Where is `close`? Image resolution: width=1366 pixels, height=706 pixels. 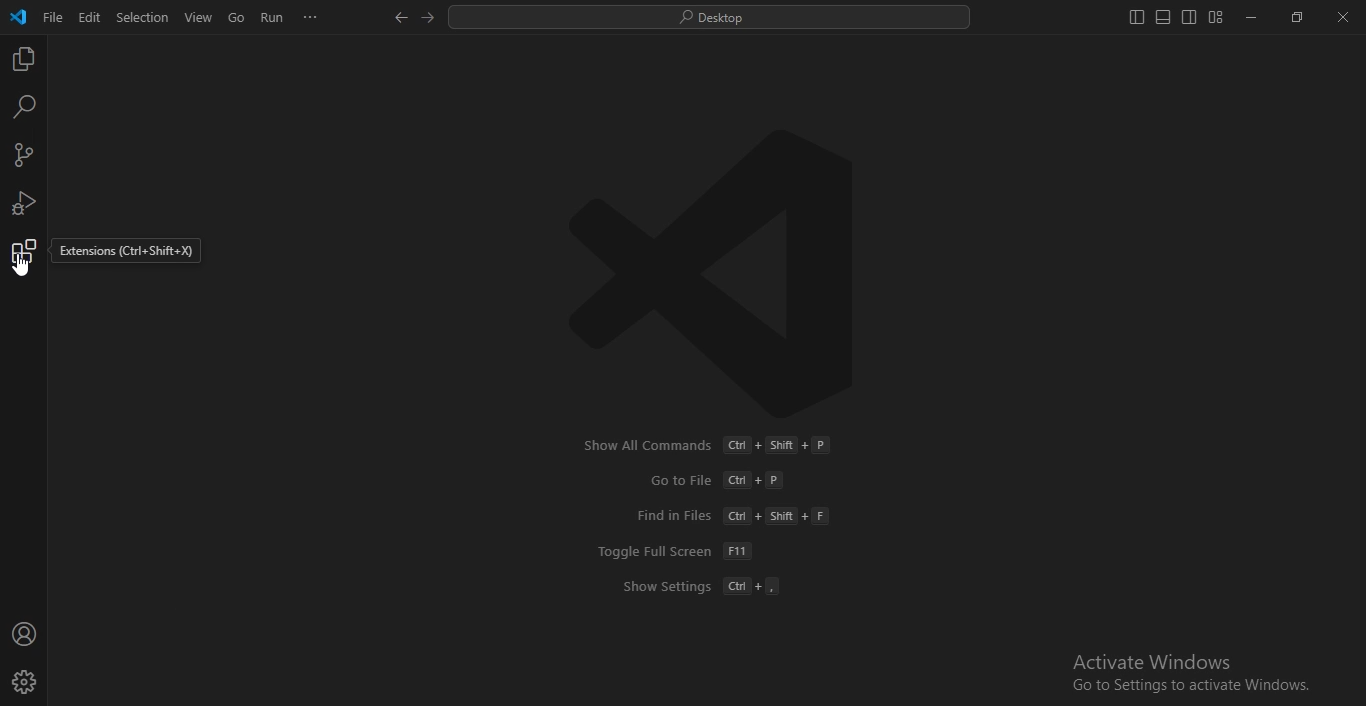 close is located at coordinates (1343, 19).